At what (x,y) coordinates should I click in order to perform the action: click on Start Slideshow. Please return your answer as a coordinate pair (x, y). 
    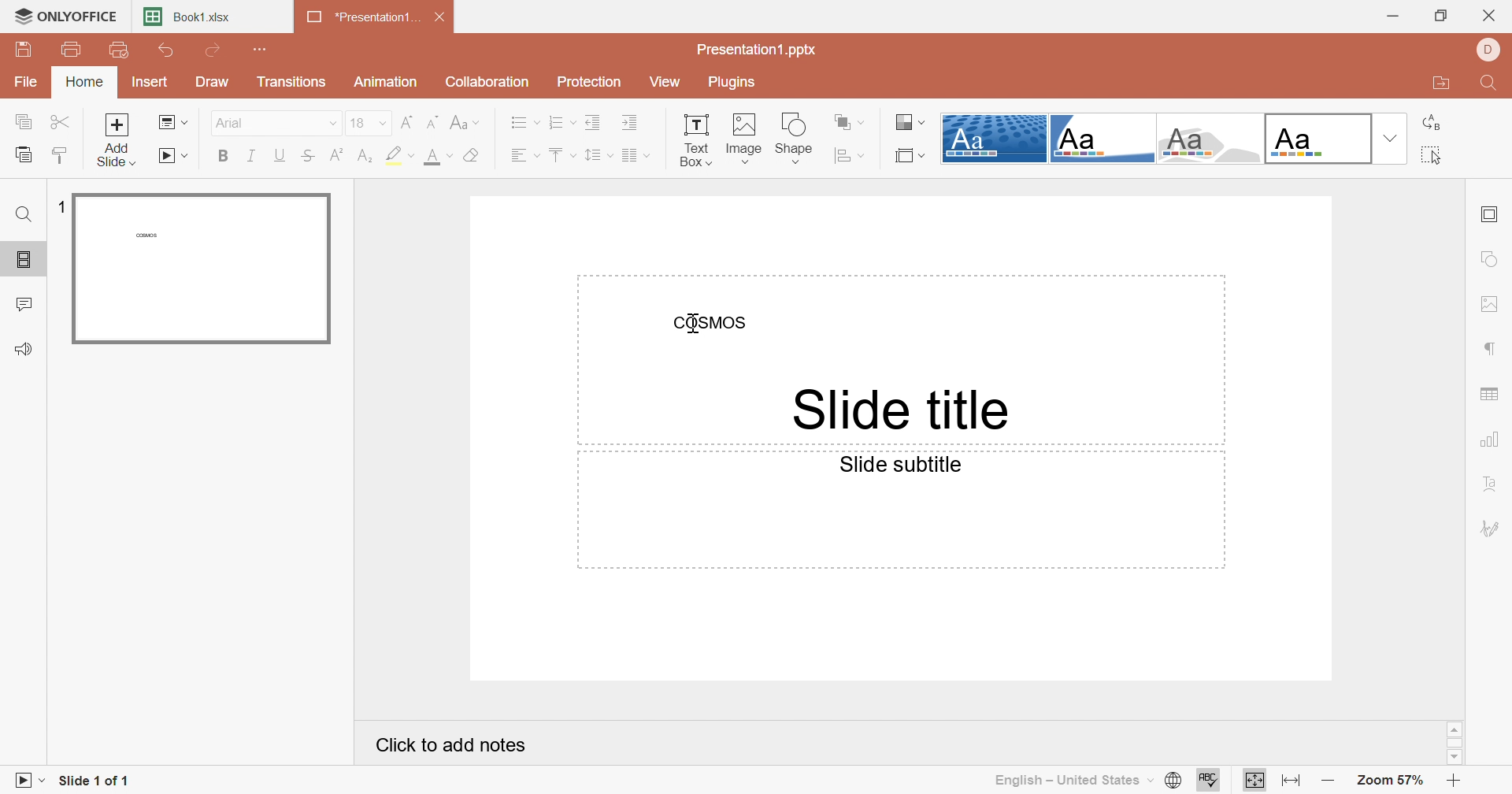
    Looking at the image, I should click on (33, 781).